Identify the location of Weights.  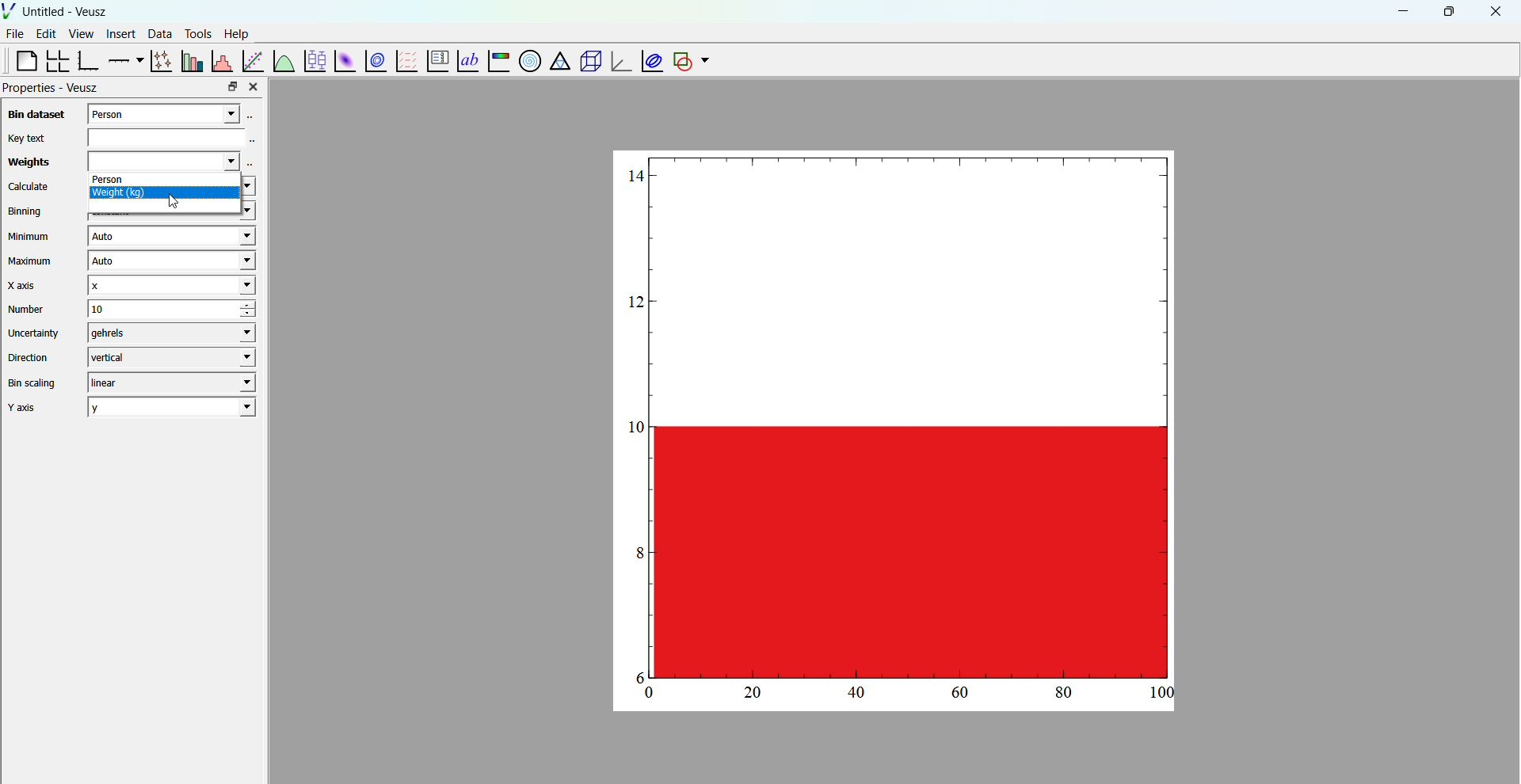
(26, 163).